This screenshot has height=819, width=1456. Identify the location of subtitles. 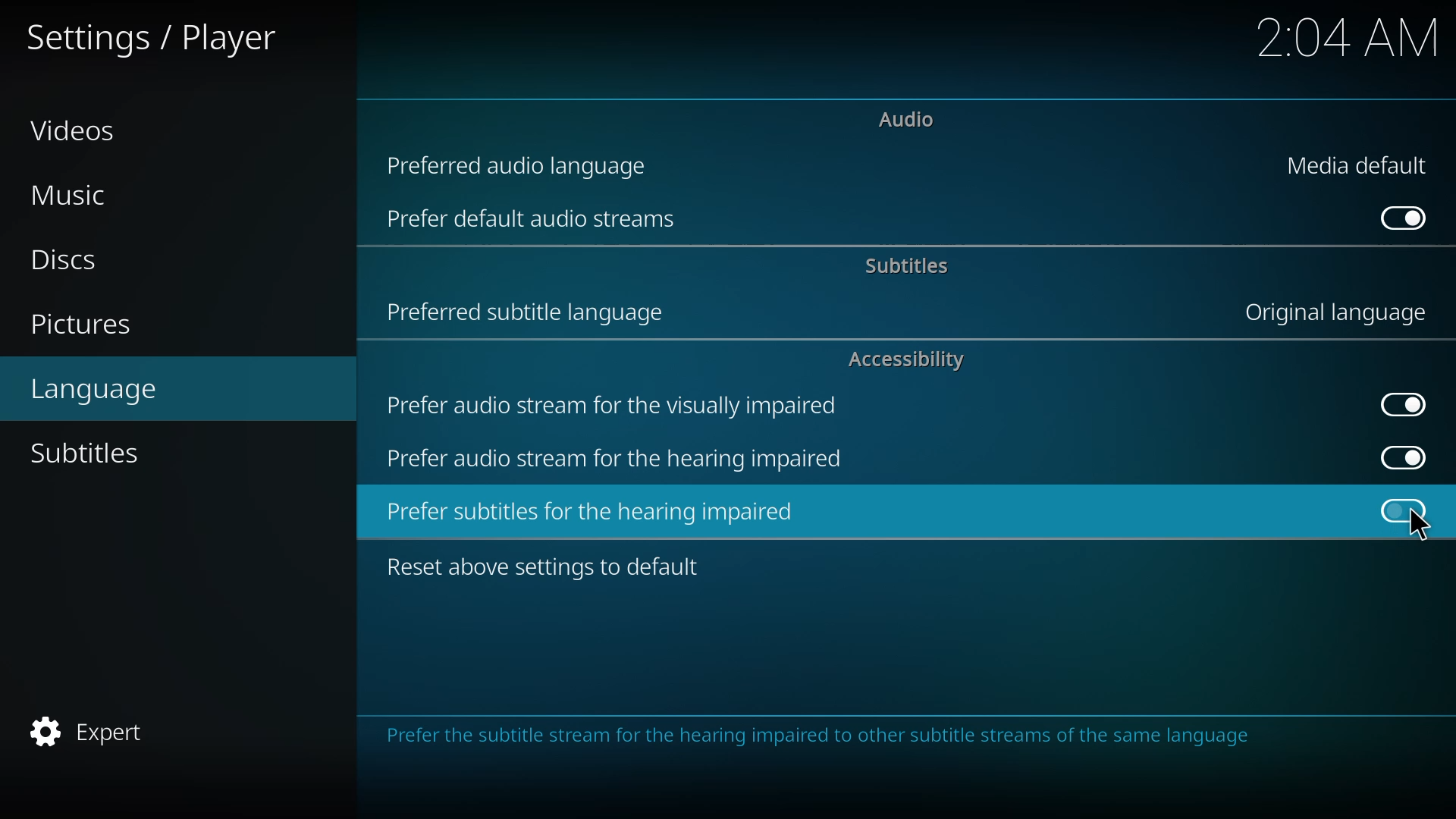
(911, 263).